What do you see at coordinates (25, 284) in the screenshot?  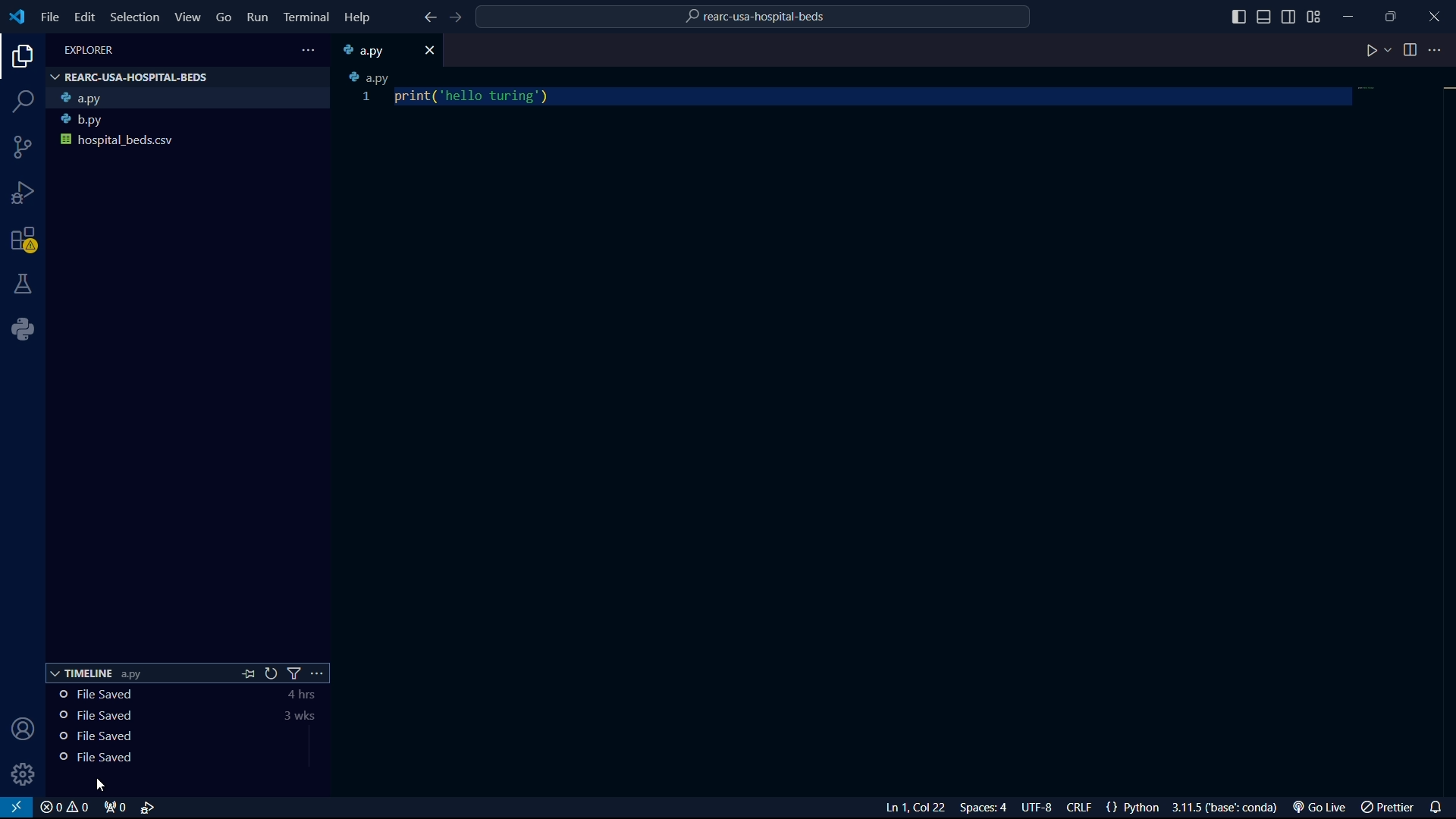 I see `testing` at bounding box center [25, 284].